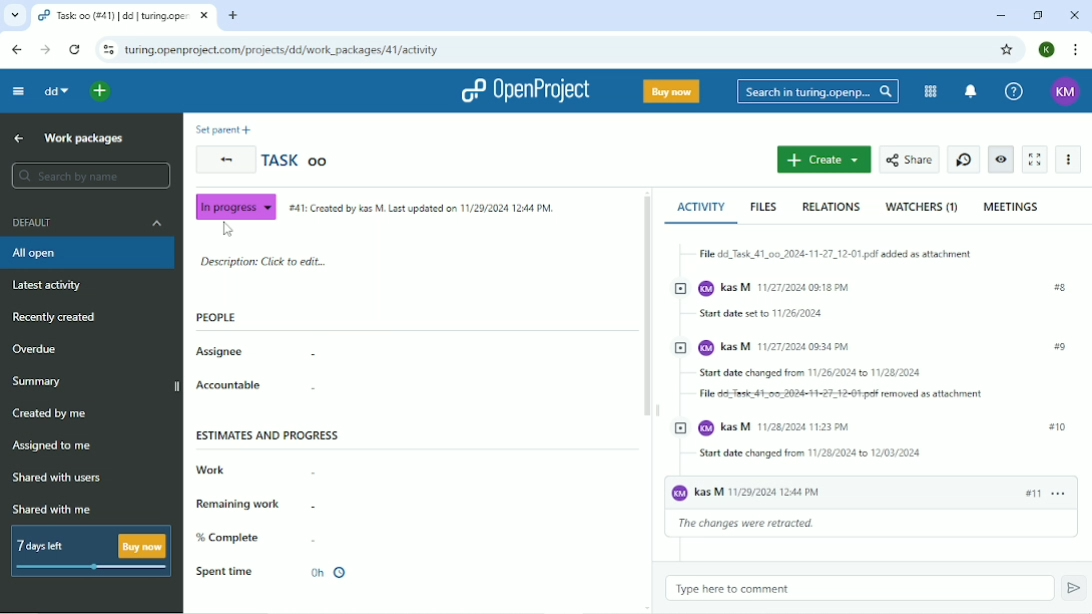 The image size is (1092, 614). I want to click on % complete, so click(229, 538).